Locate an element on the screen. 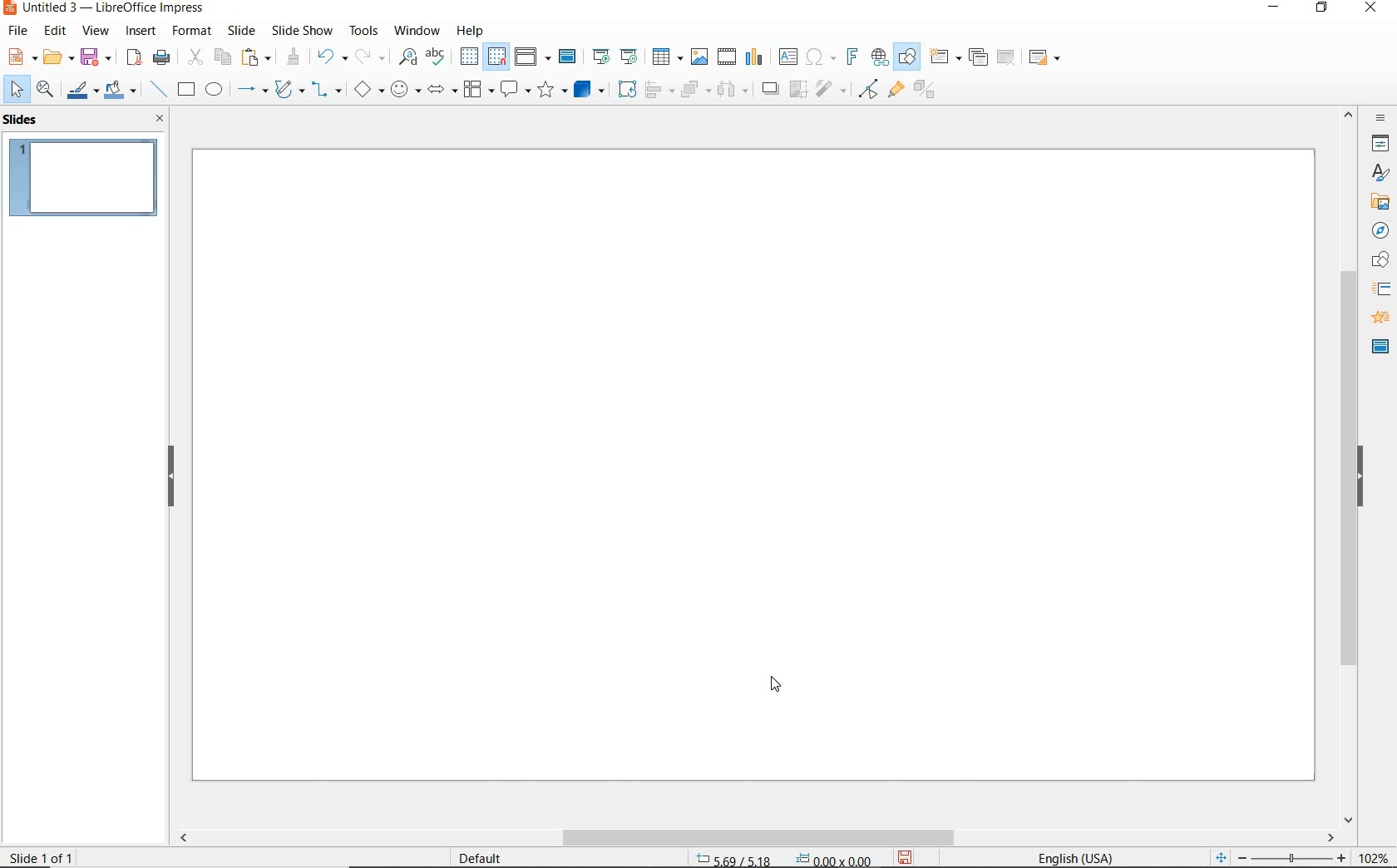  RECTANGLE is located at coordinates (188, 89).